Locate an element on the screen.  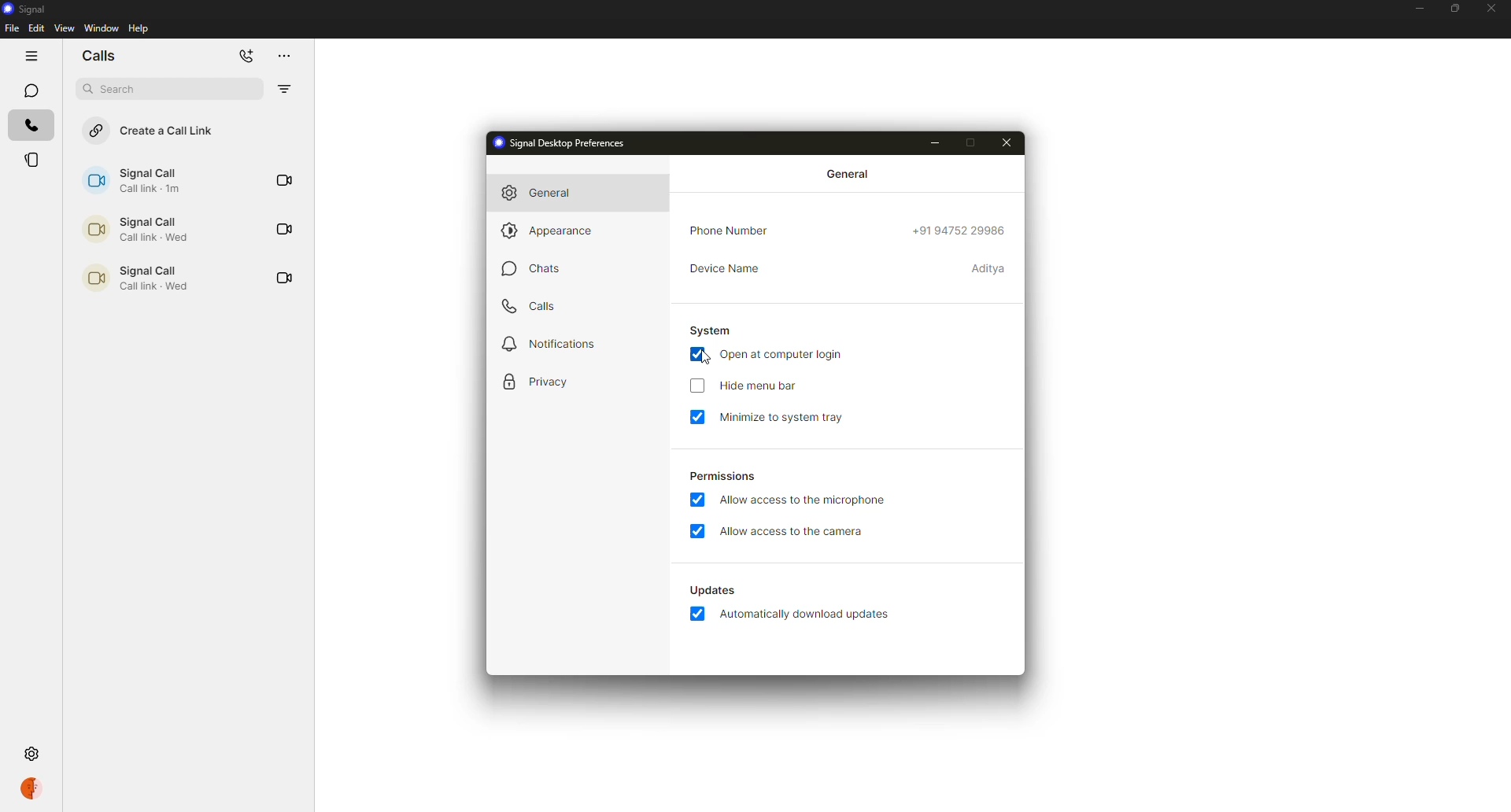
view is located at coordinates (64, 28).